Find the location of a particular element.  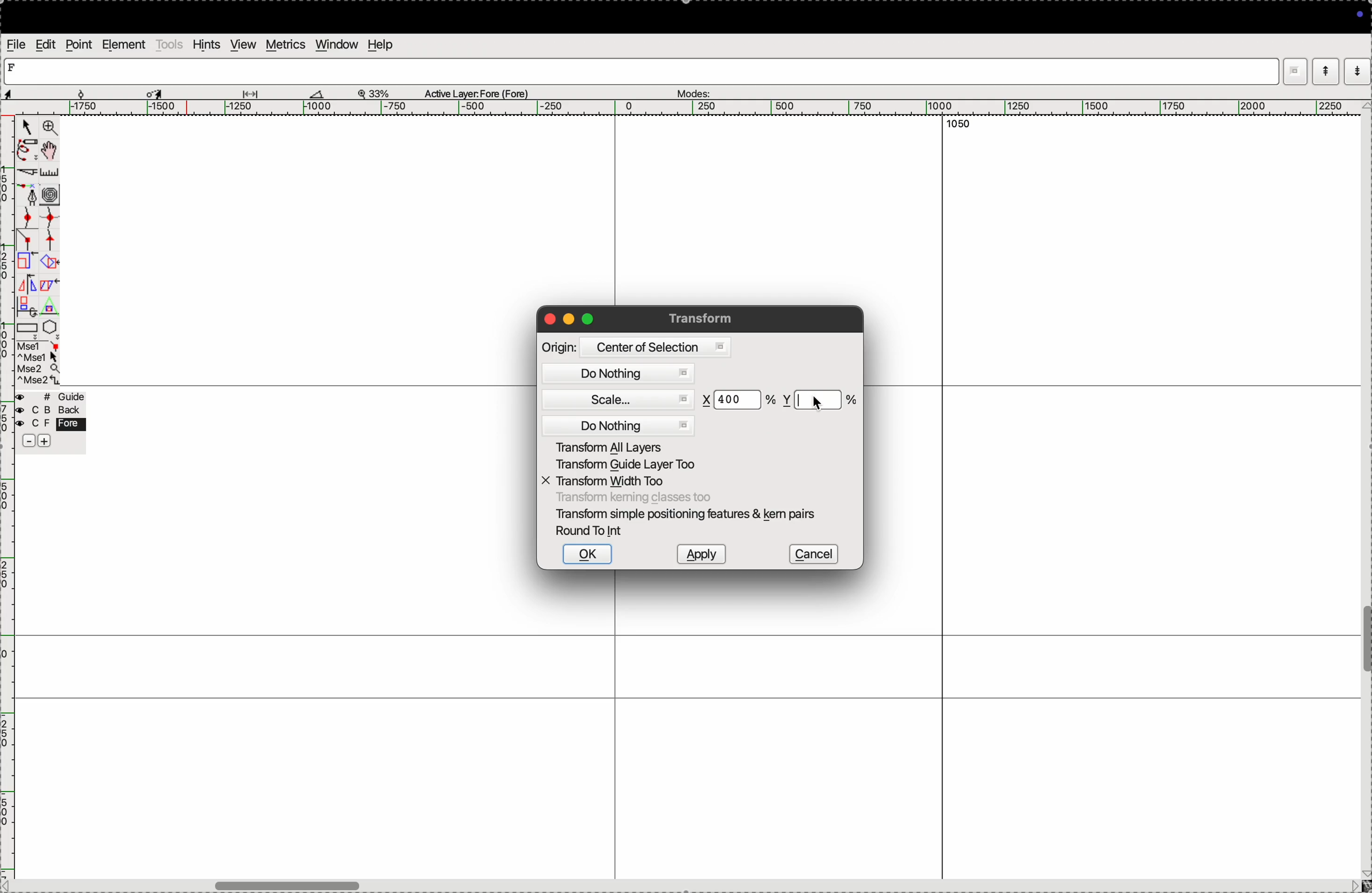

guide is located at coordinates (54, 397).